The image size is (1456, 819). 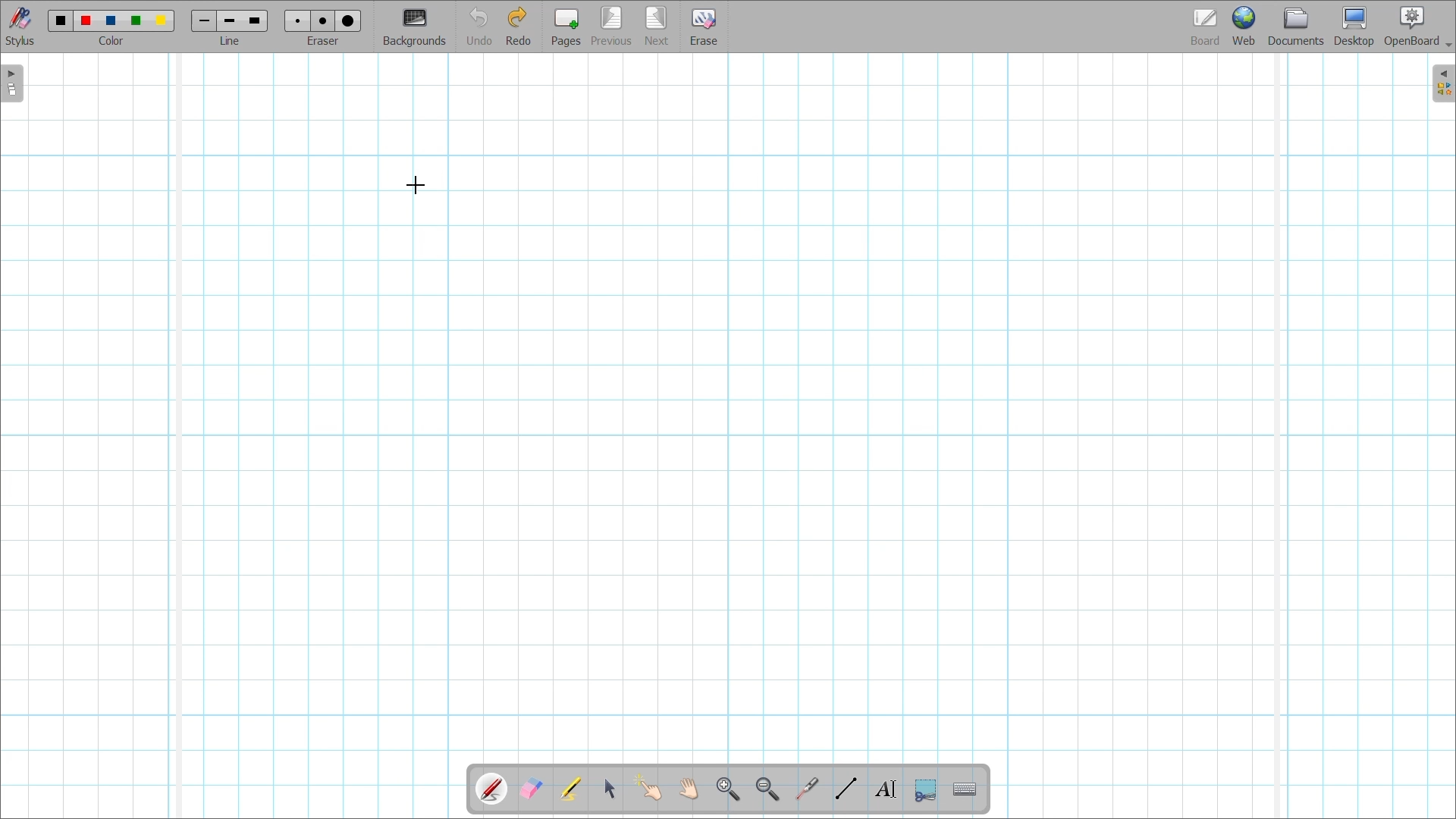 What do you see at coordinates (416, 186) in the screenshot?
I see `Cursor` at bounding box center [416, 186].